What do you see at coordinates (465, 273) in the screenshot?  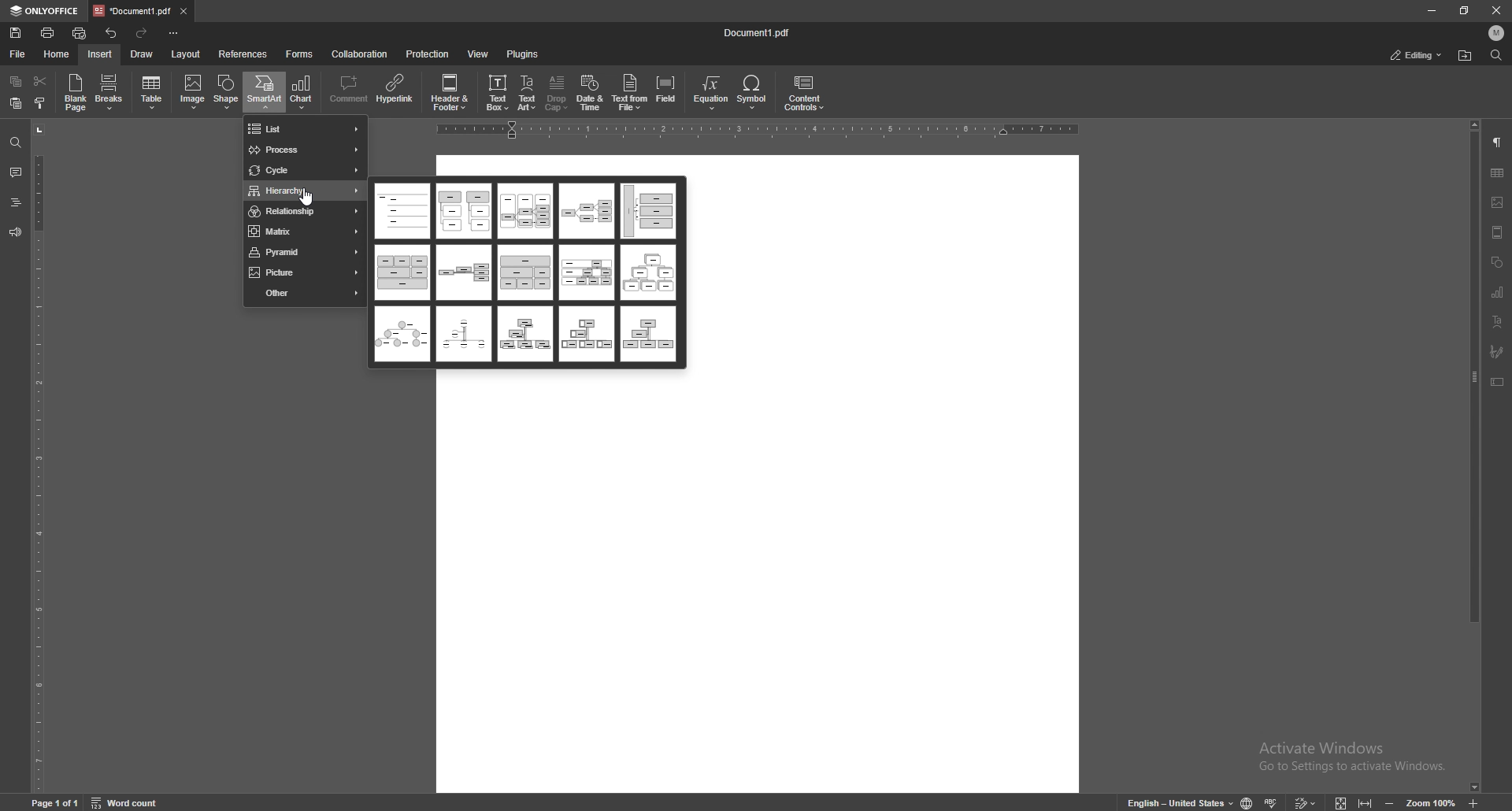 I see `hierarchy smart art` at bounding box center [465, 273].